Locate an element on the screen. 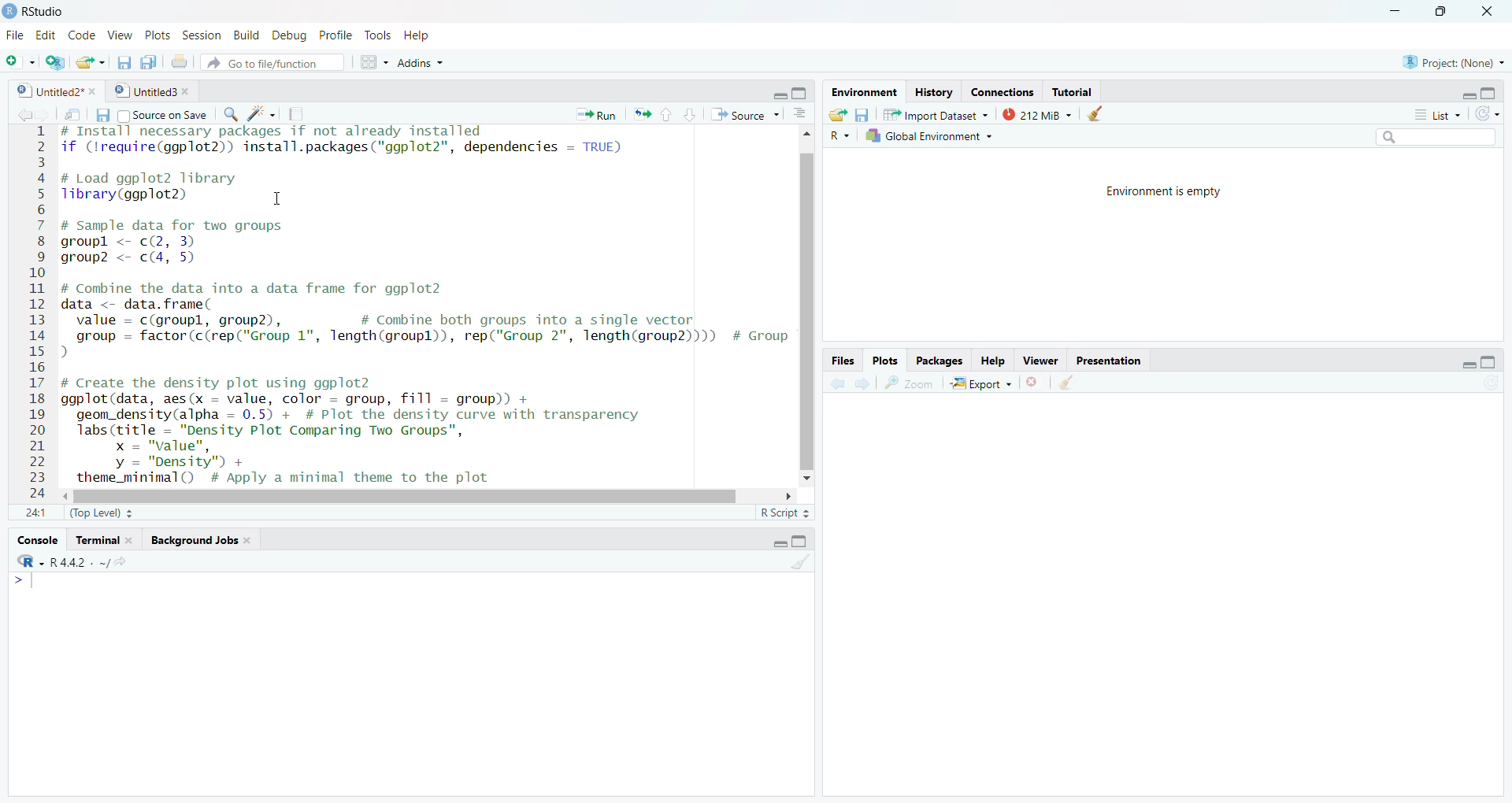 Image resolution: width=1512 pixels, height=803 pixels.  is located at coordinates (28, 583).